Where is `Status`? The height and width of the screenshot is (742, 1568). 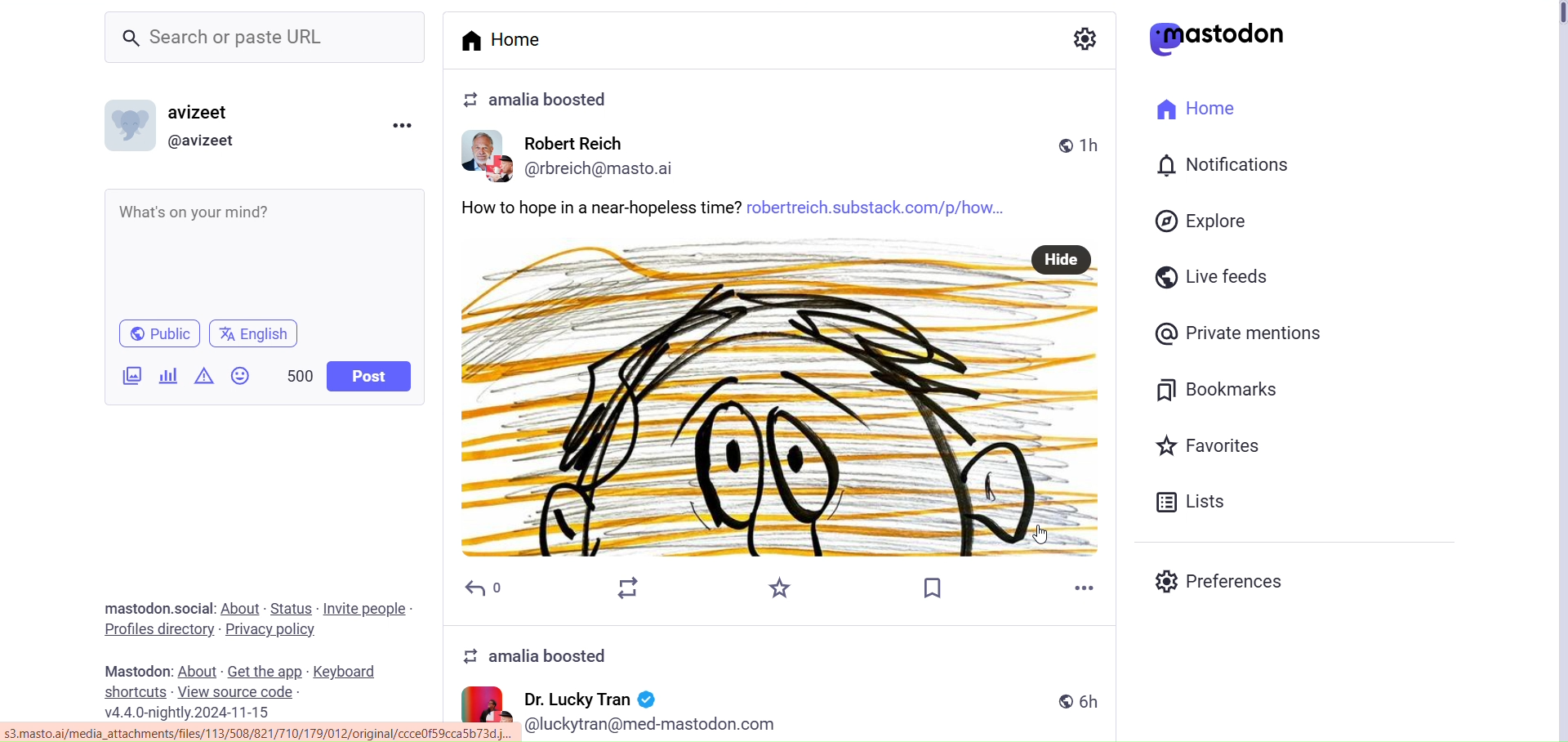
Status is located at coordinates (291, 606).